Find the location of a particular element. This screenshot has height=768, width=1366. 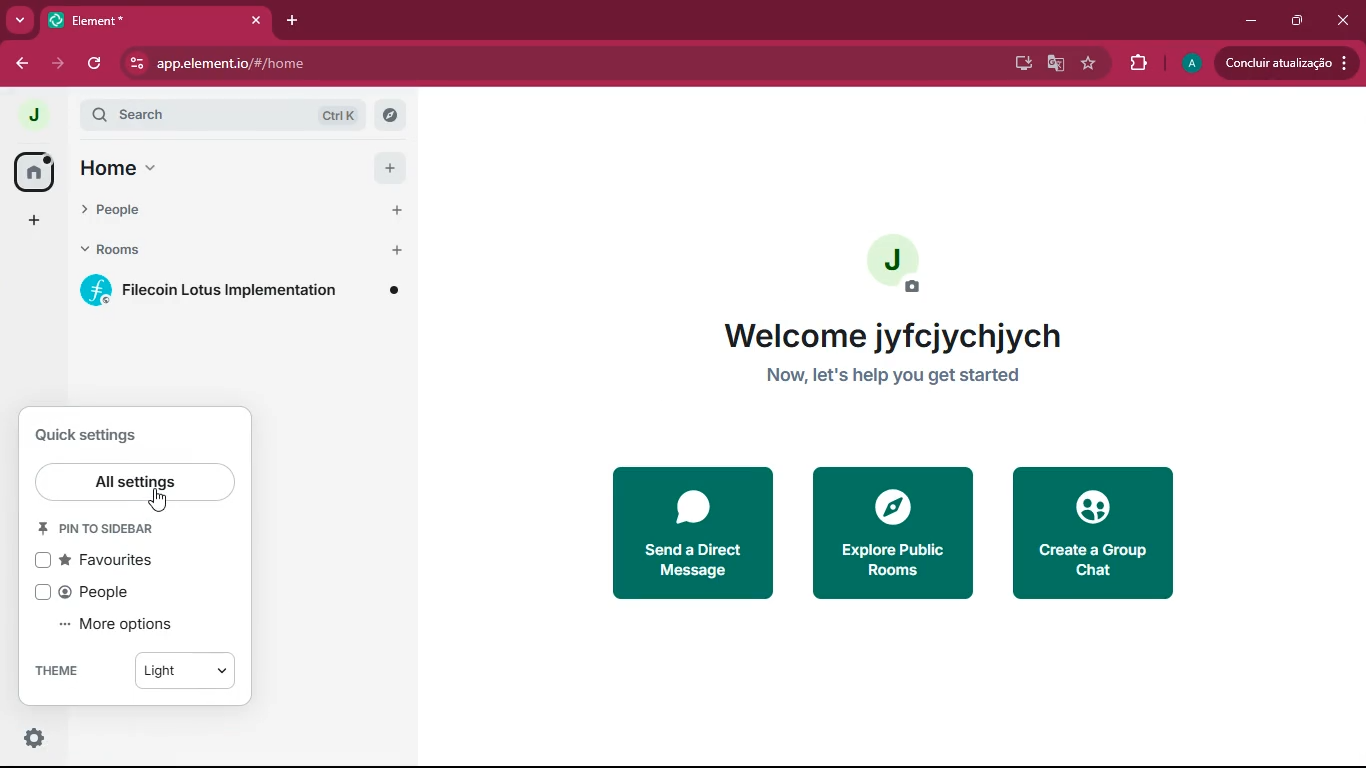

search is located at coordinates (233, 115).